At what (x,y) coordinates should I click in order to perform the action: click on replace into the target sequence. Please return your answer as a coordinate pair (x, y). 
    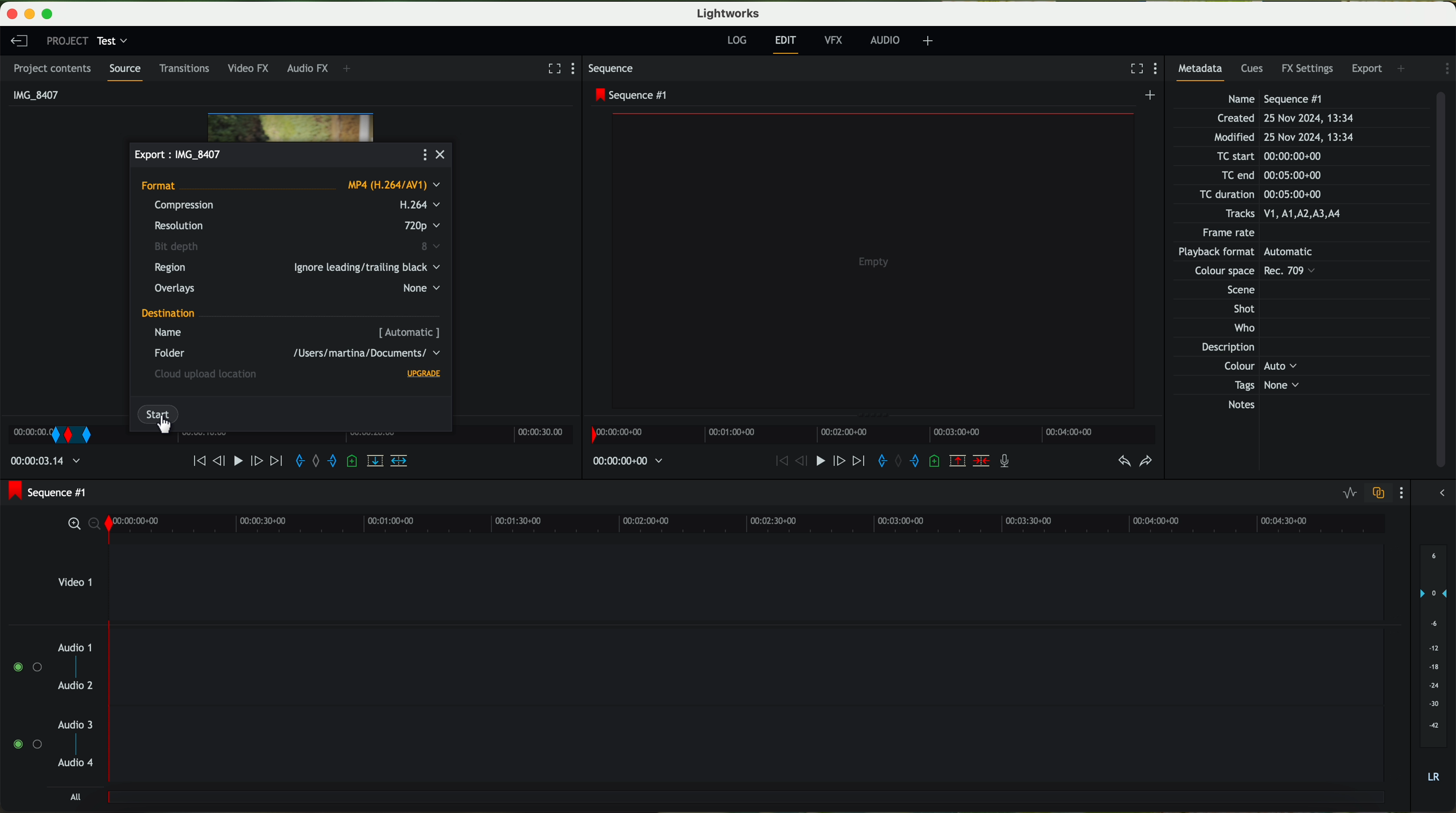
    Looking at the image, I should click on (378, 465).